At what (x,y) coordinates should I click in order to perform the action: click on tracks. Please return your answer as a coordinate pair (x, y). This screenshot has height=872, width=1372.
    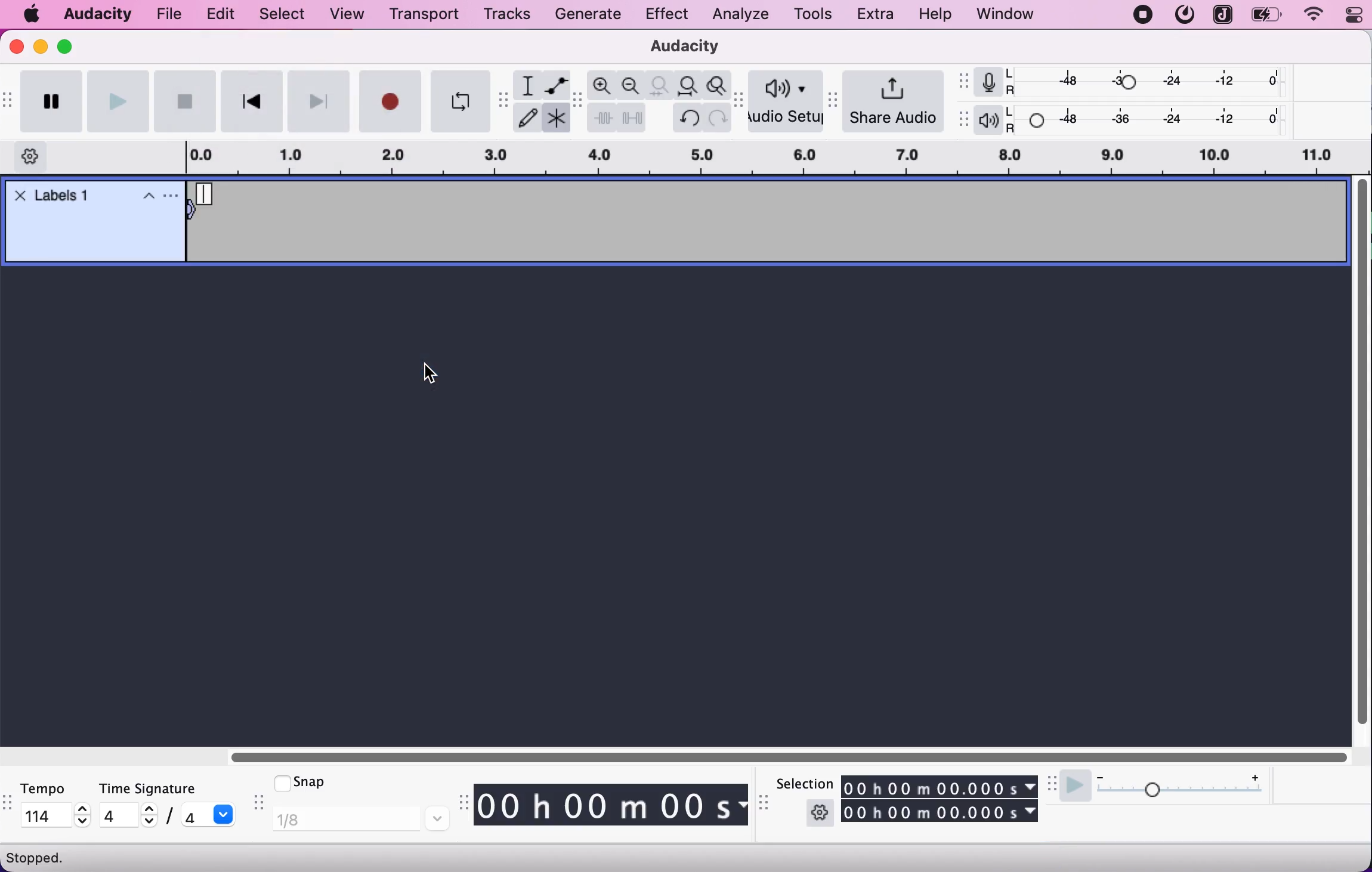
    Looking at the image, I should click on (502, 16).